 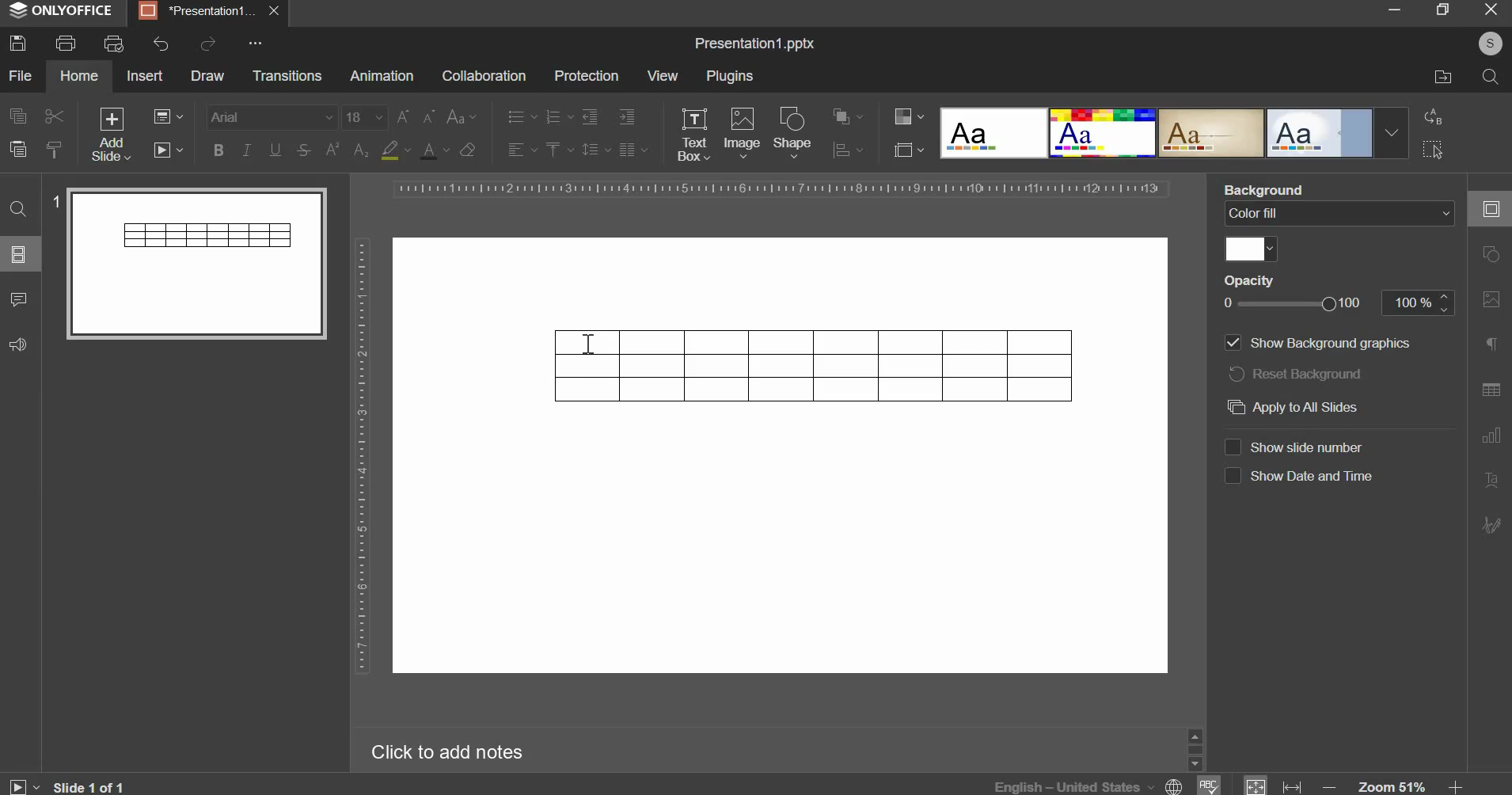 What do you see at coordinates (18, 115) in the screenshot?
I see `copy` at bounding box center [18, 115].